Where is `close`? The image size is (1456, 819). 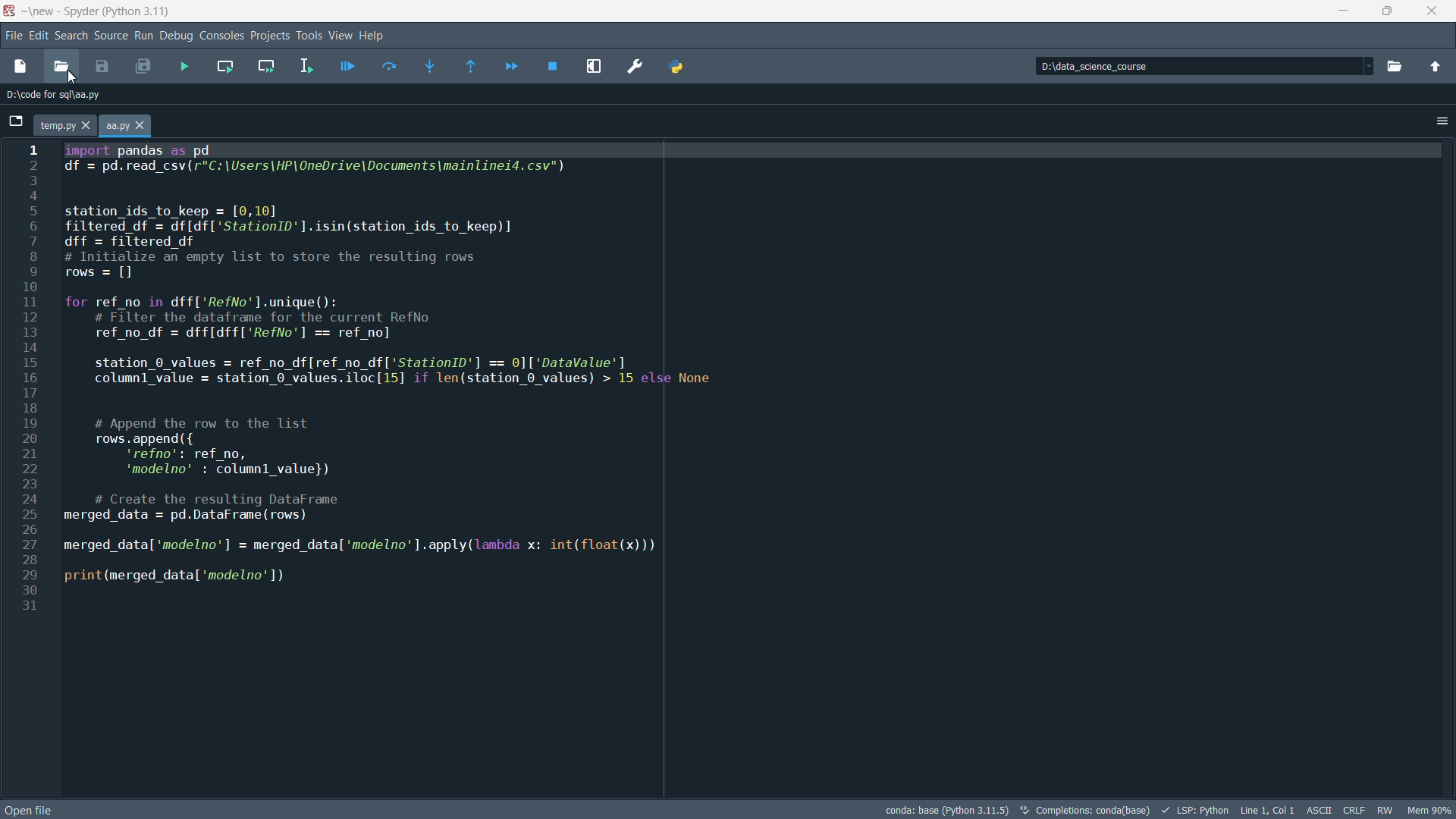 close is located at coordinates (86, 126).